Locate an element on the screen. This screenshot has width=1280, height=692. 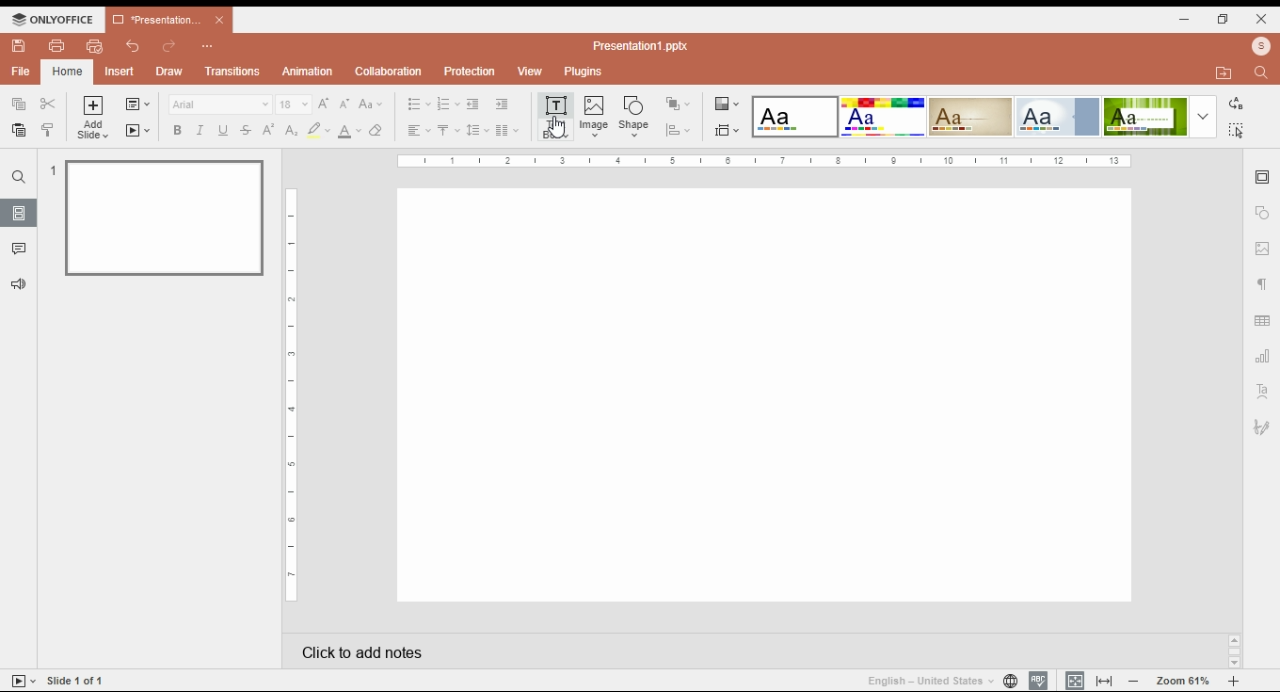
find is located at coordinates (1260, 74).